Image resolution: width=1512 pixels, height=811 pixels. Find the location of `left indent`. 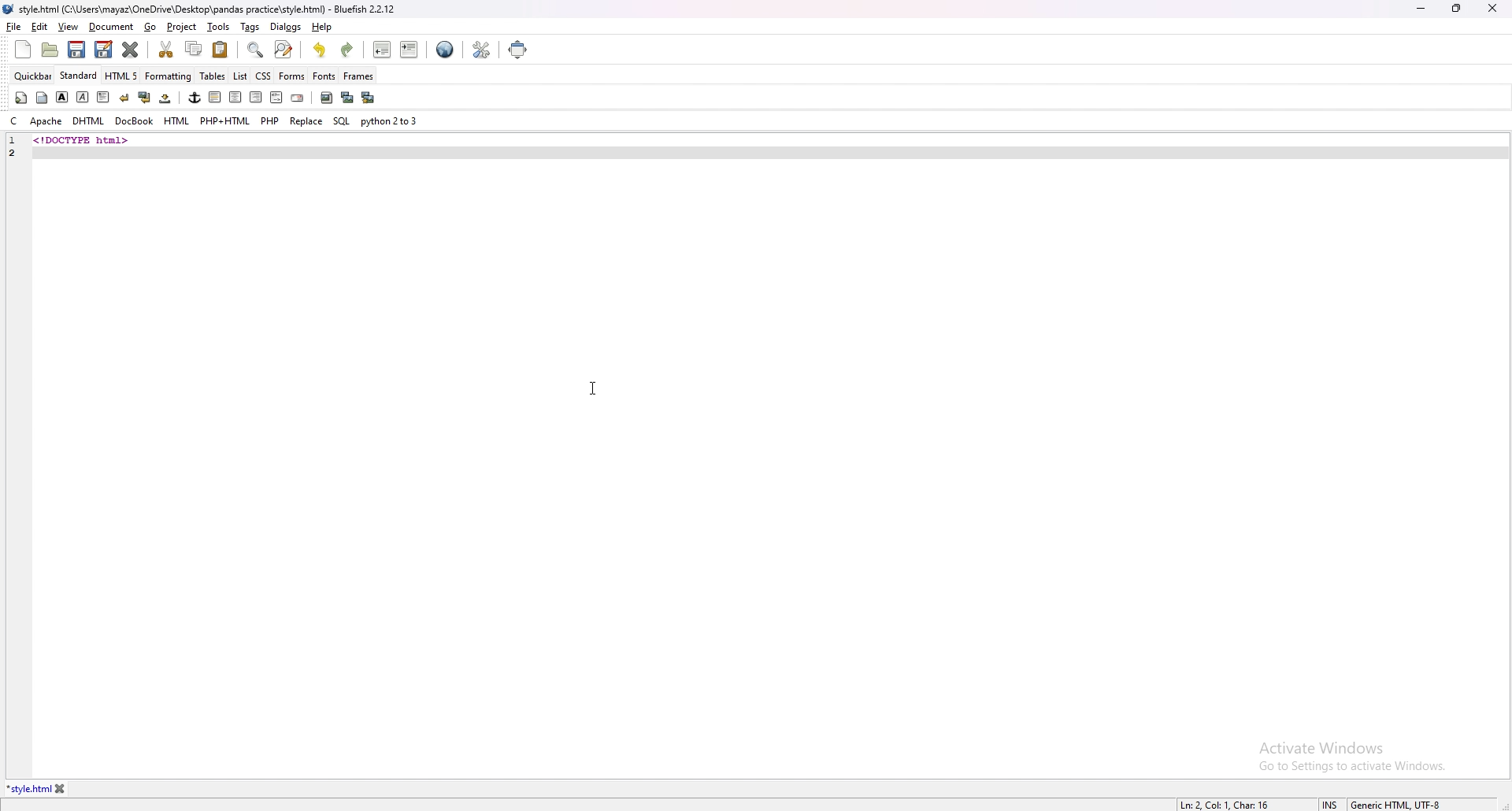

left indent is located at coordinates (213, 97).